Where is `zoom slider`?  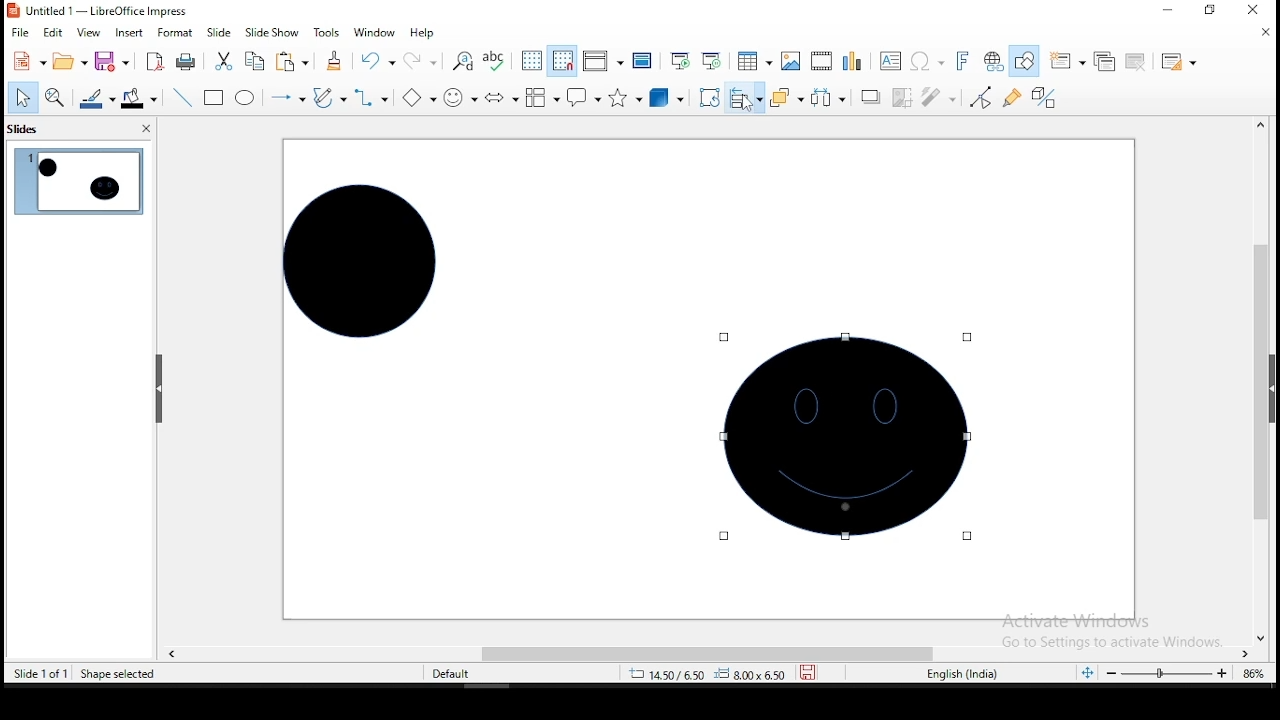
zoom slider is located at coordinates (1161, 675).